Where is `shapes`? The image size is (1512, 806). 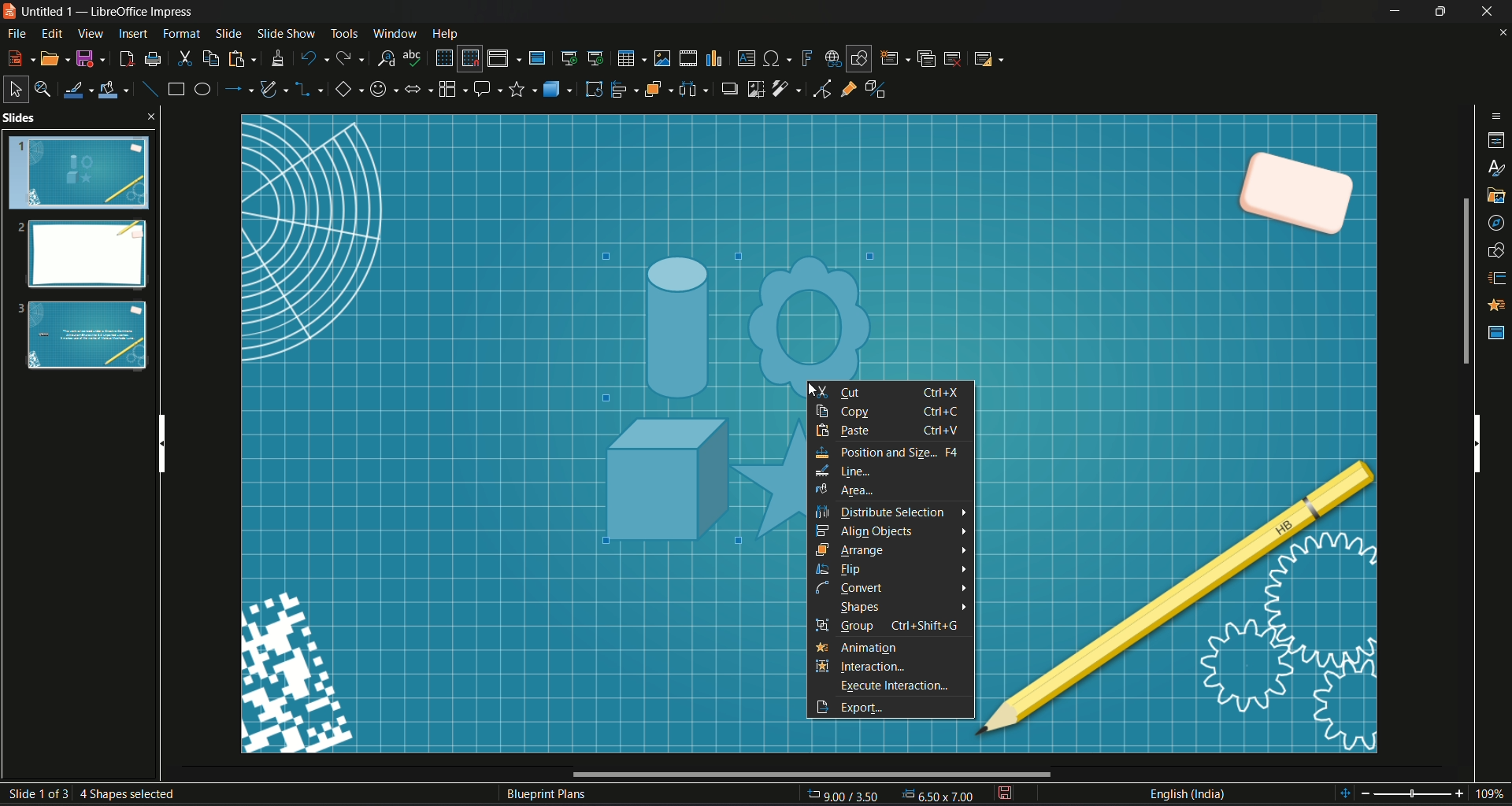 shapes is located at coordinates (1497, 251).